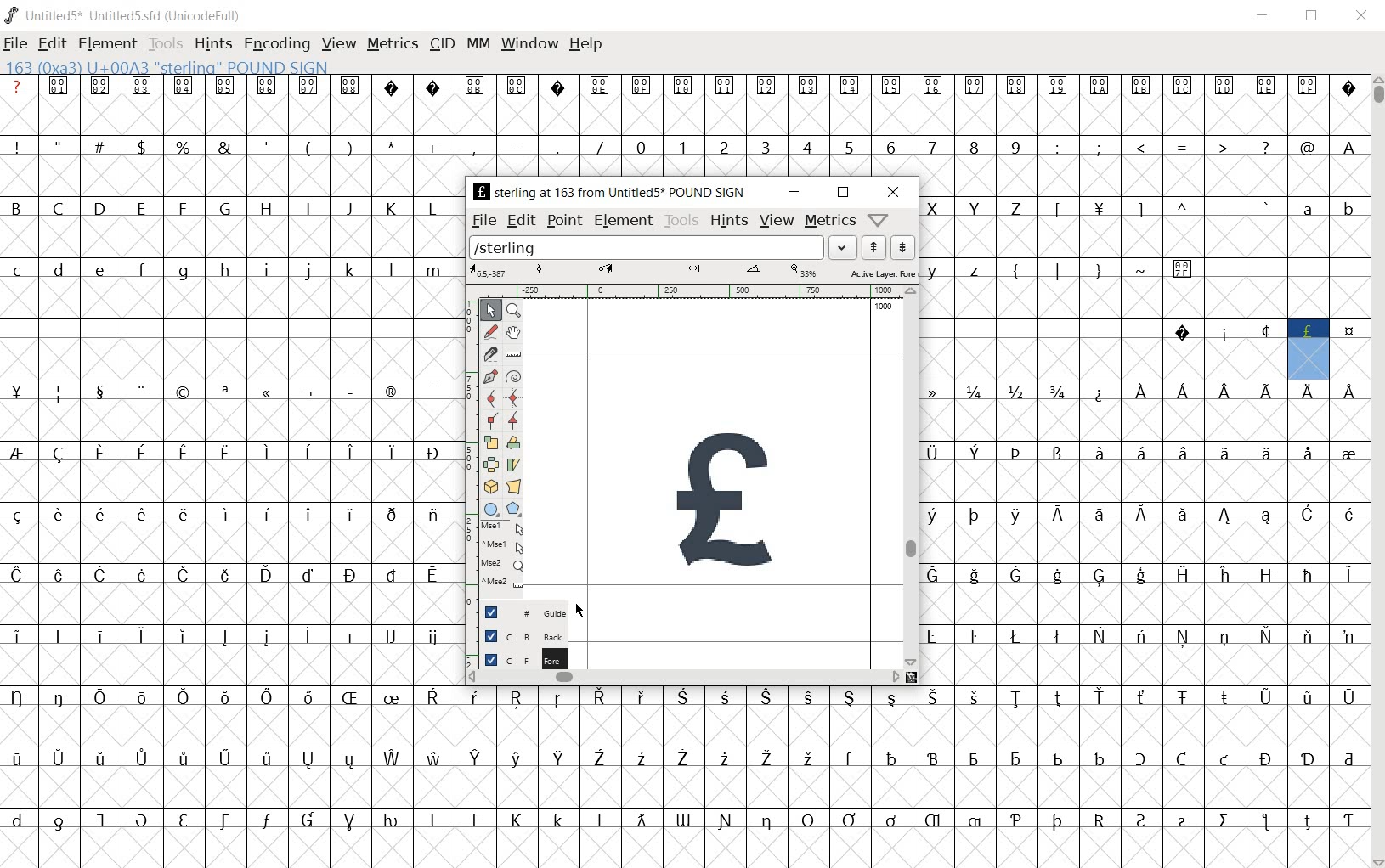 The width and height of the screenshot is (1385, 868). I want to click on Symbol, so click(184, 454).